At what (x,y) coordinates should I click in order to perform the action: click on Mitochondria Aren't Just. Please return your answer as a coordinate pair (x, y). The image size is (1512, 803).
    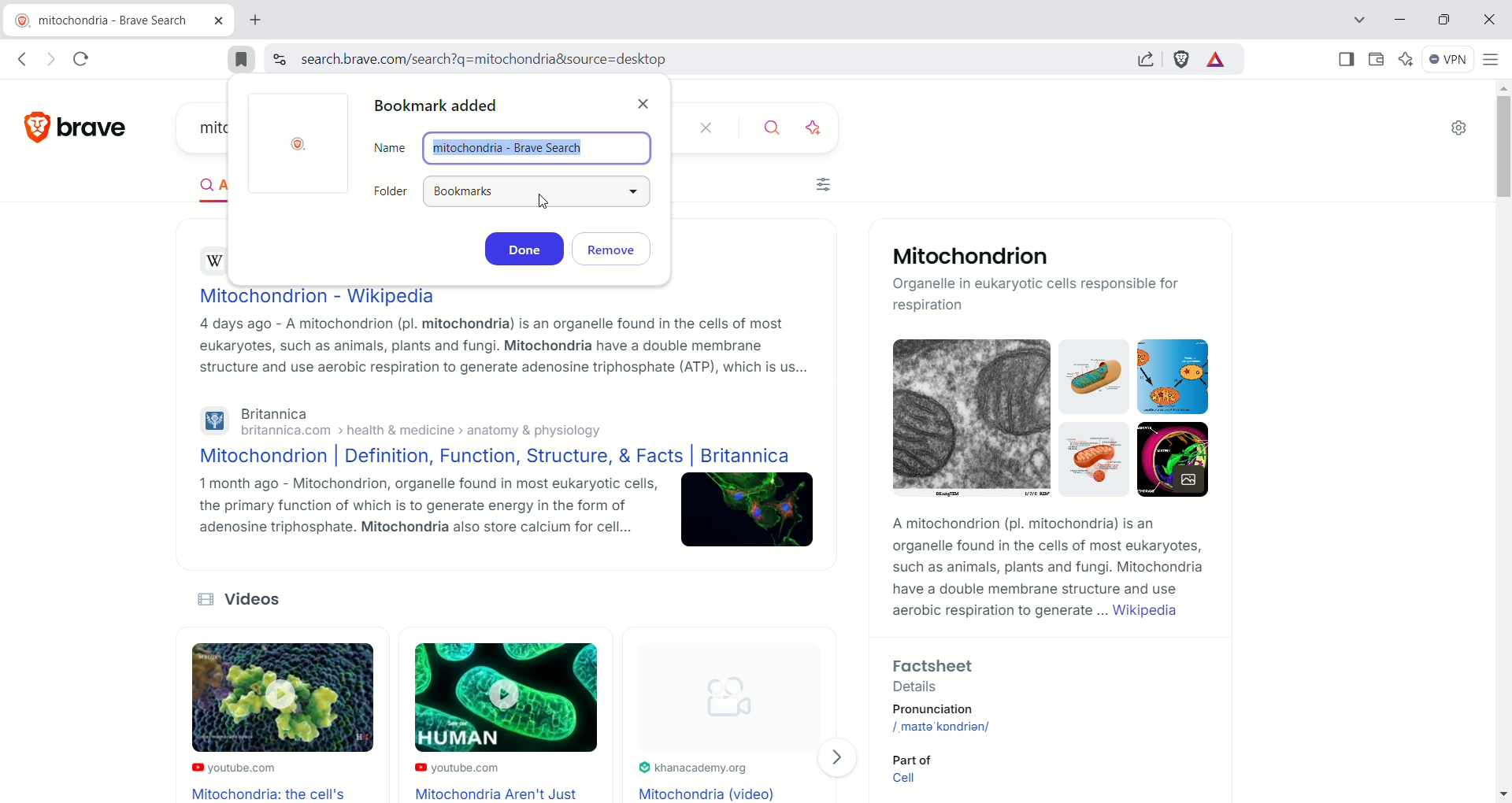
    Looking at the image, I should click on (503, 794).